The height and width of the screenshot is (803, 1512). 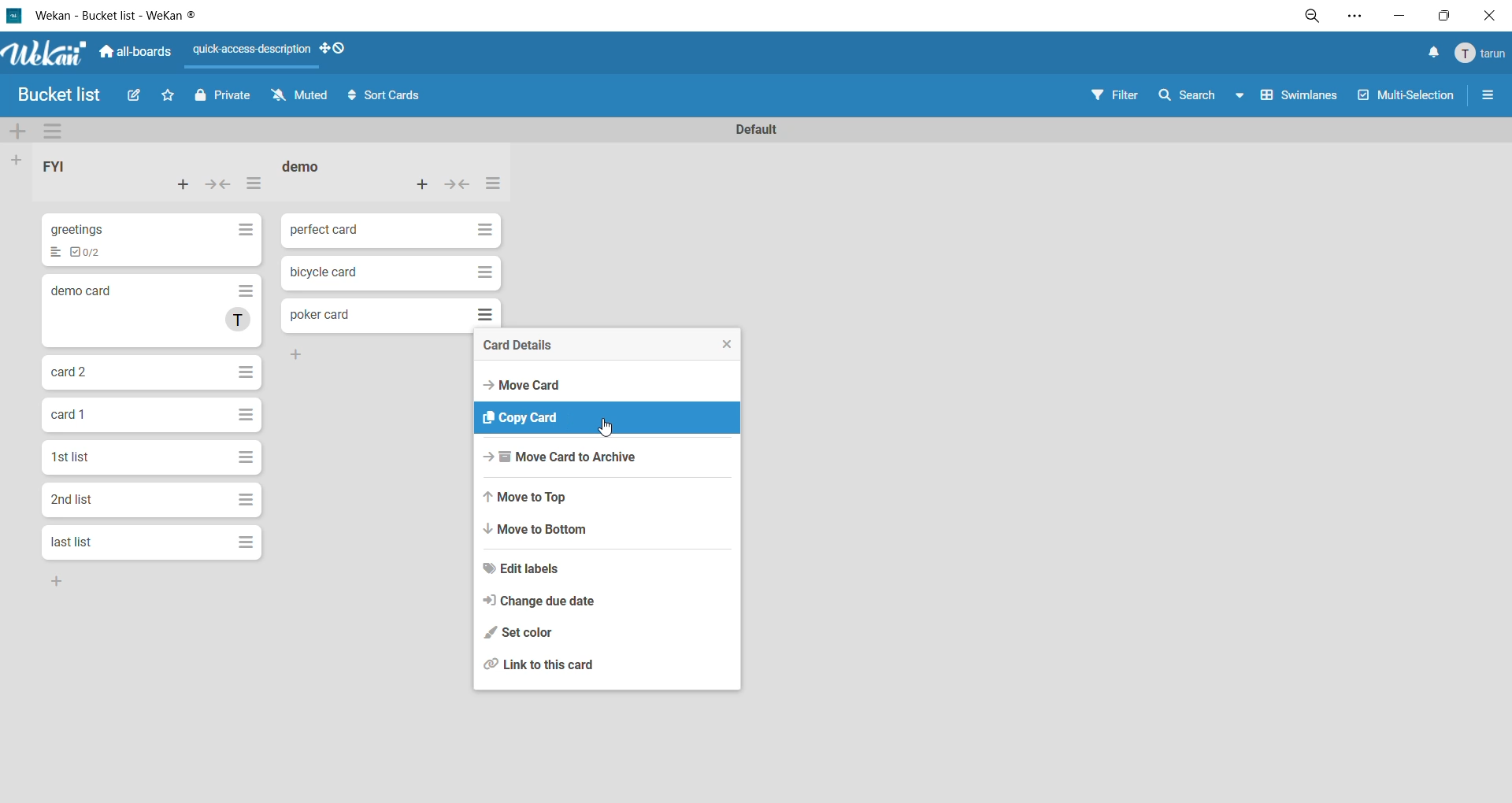 What do you see at coordinates (71, 413) in the screenshot?
I see `card 1` at bounding box center [71, 413].